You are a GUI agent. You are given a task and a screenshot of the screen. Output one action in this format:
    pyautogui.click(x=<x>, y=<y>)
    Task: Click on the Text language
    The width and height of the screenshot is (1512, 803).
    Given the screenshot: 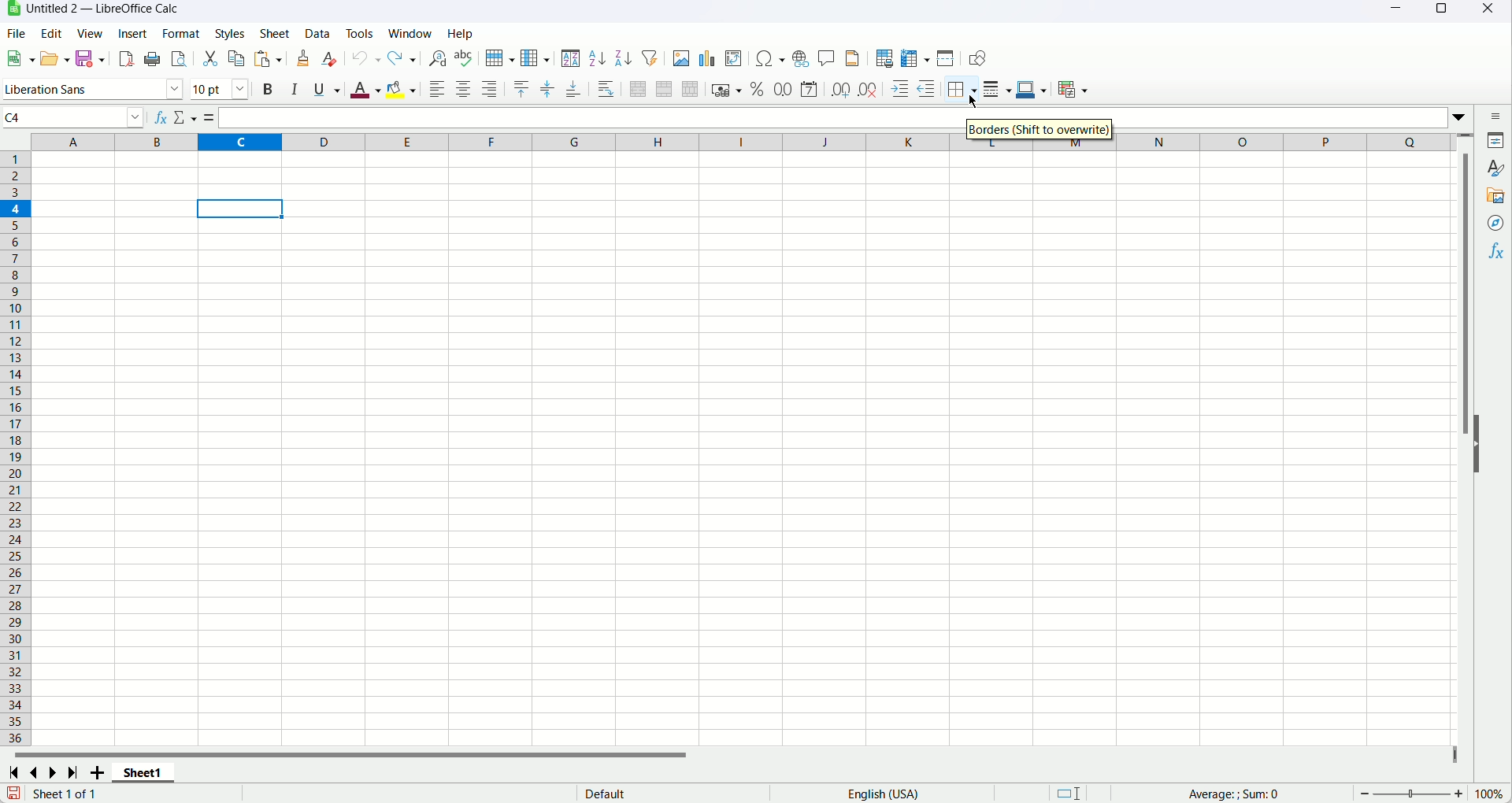 What is the action you would take?
    pyautogui.click(x=883, y=793)
    